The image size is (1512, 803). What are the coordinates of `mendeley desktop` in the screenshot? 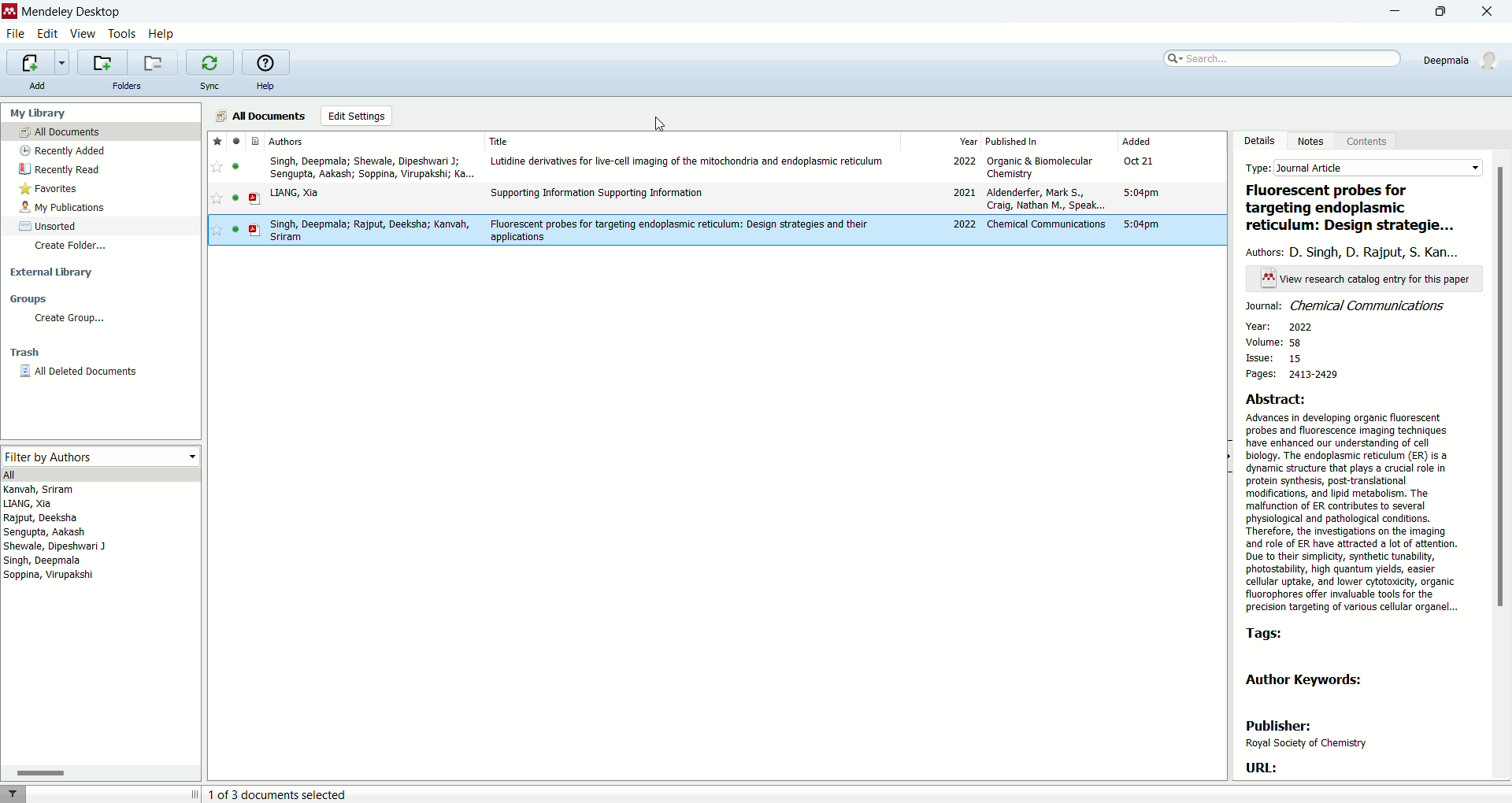 It's located at (72, 11).